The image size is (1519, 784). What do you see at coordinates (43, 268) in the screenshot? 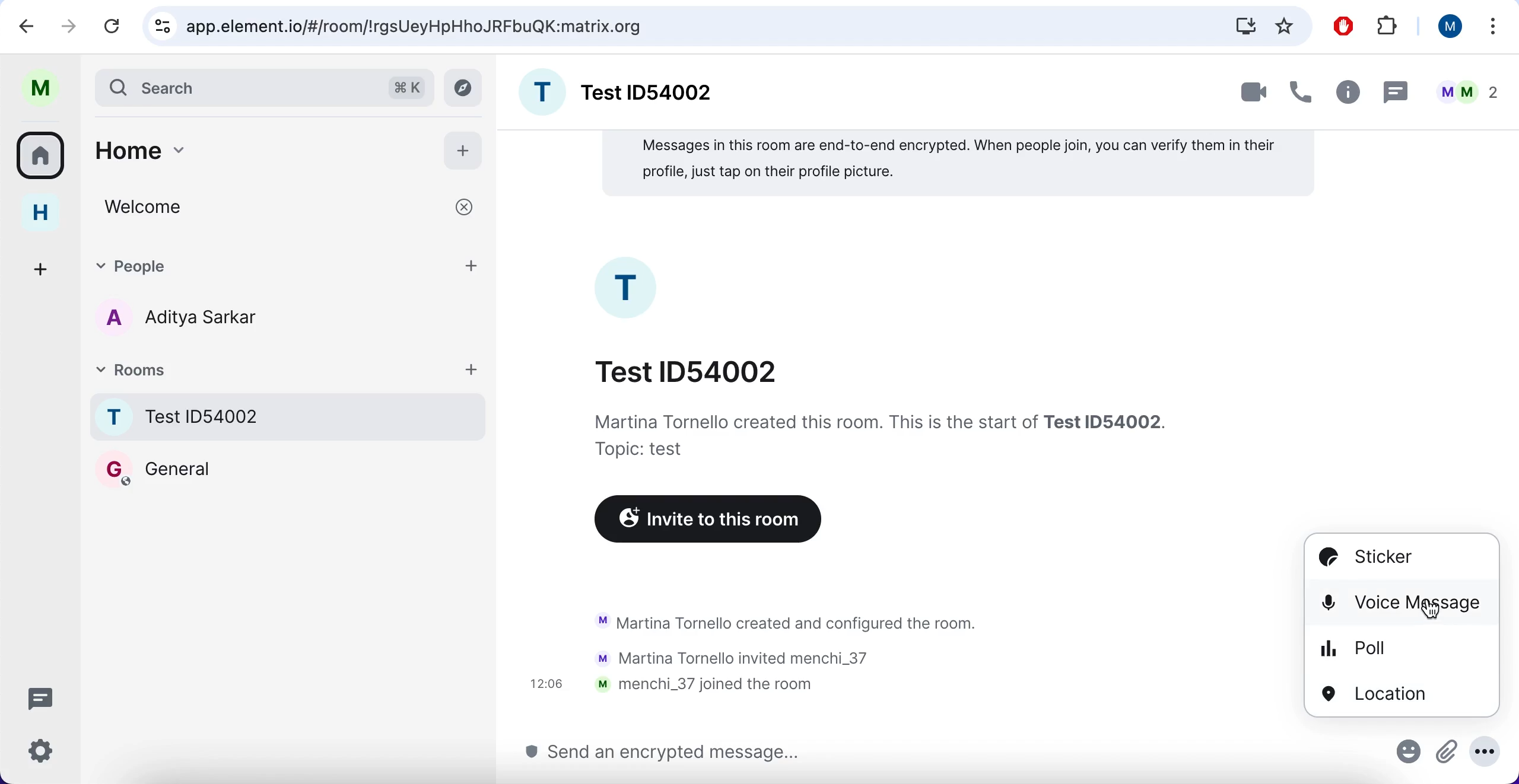
I see `create a space` at bounding box center [43, 268].